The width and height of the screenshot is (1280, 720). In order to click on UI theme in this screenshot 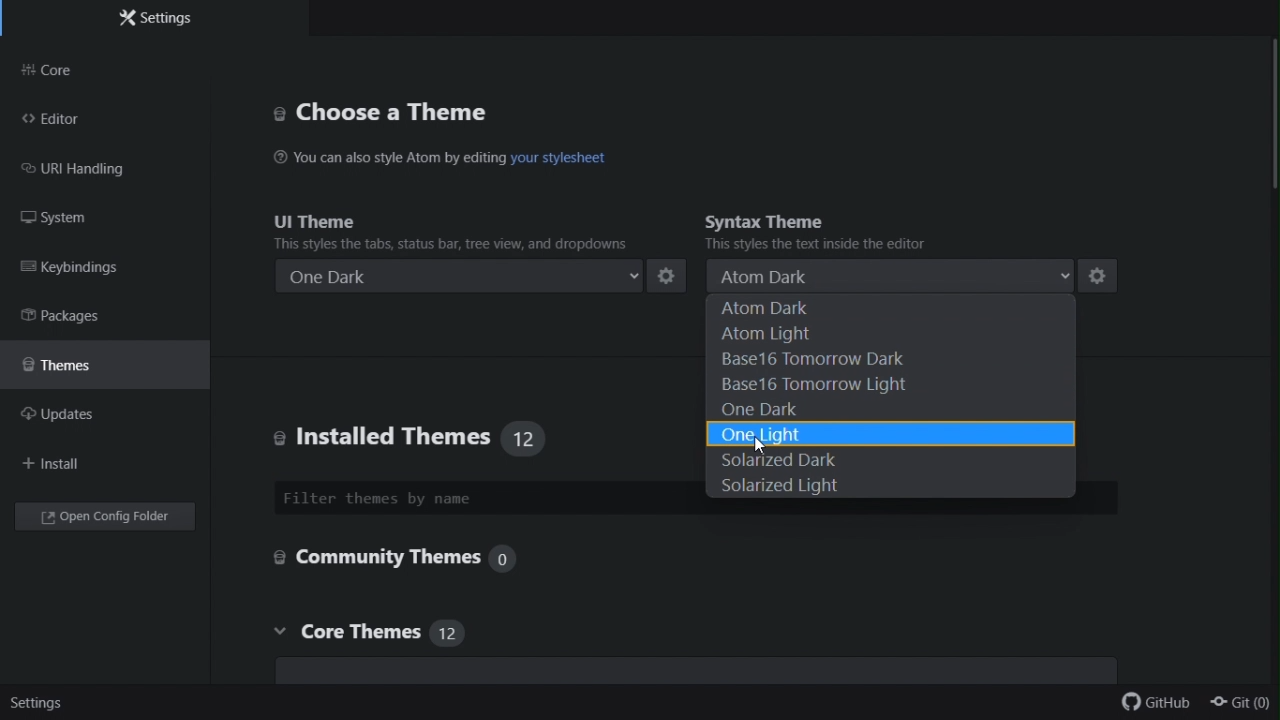, I will do `click(438, 230)`.